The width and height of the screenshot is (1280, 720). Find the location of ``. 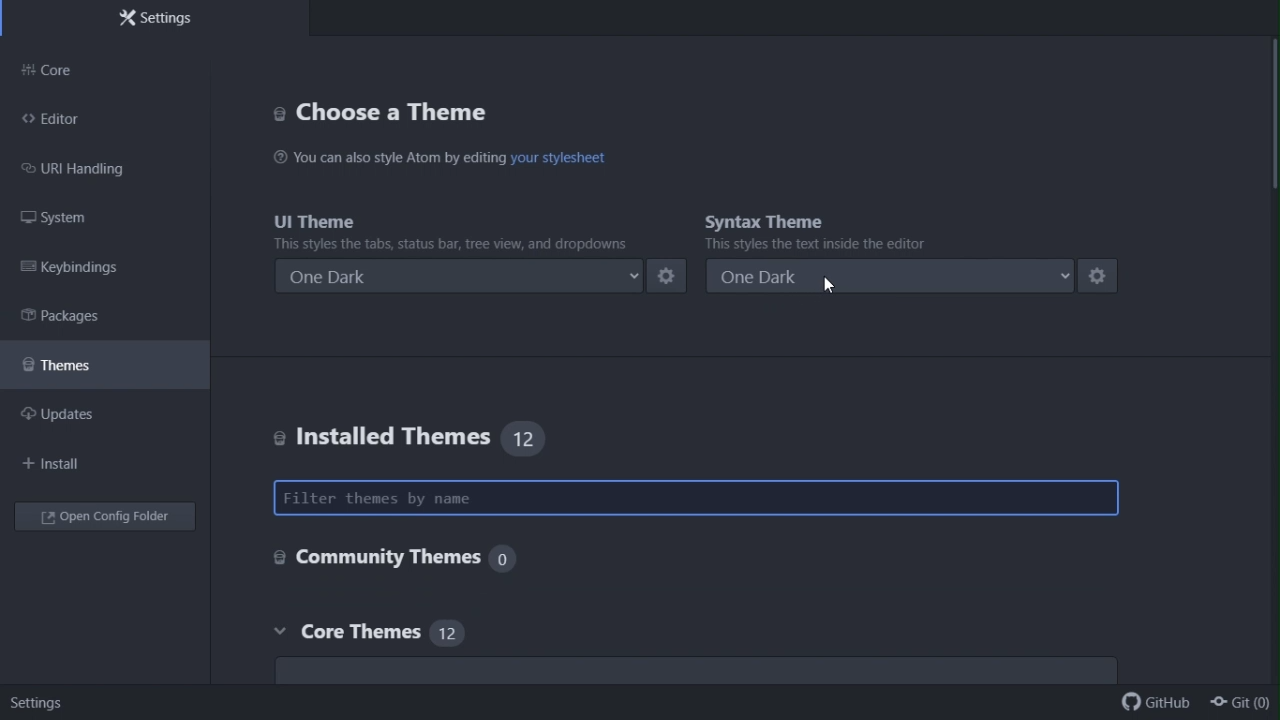

 is located at coordinates (395, 111).